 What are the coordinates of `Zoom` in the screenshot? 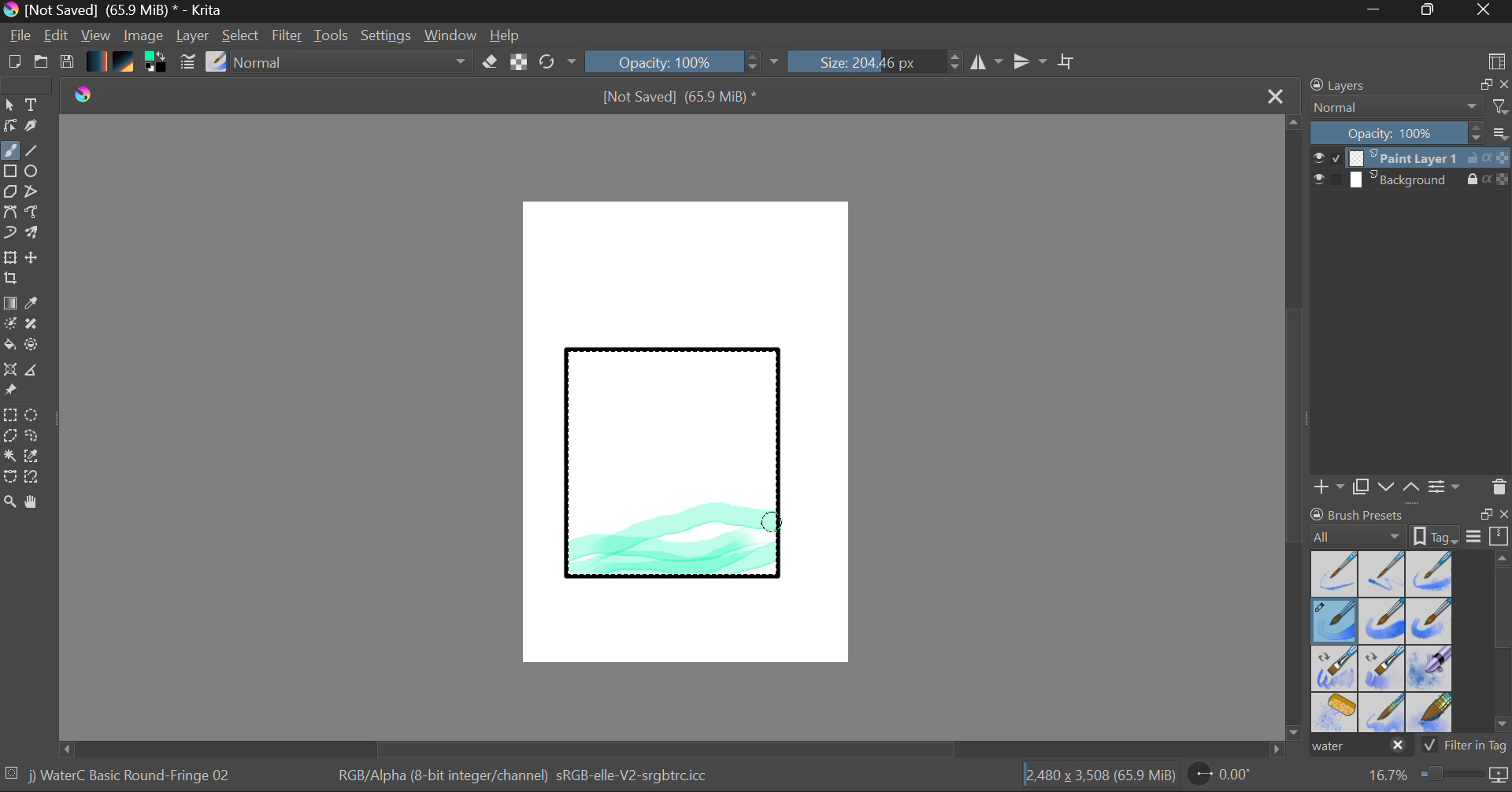 It's located at (10, 503).